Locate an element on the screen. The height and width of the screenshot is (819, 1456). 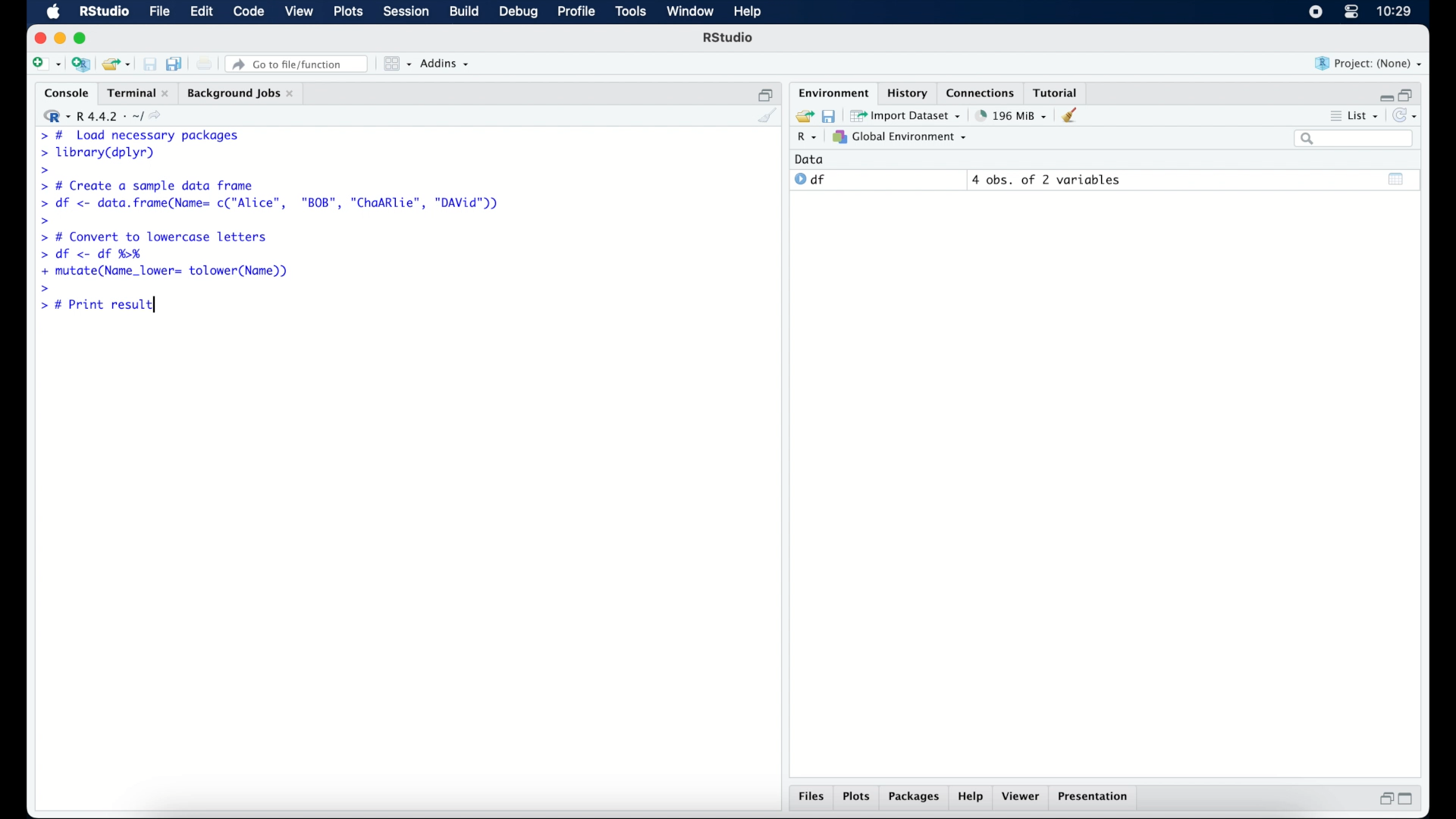
show output  window is located at coordinates (1397, 178).